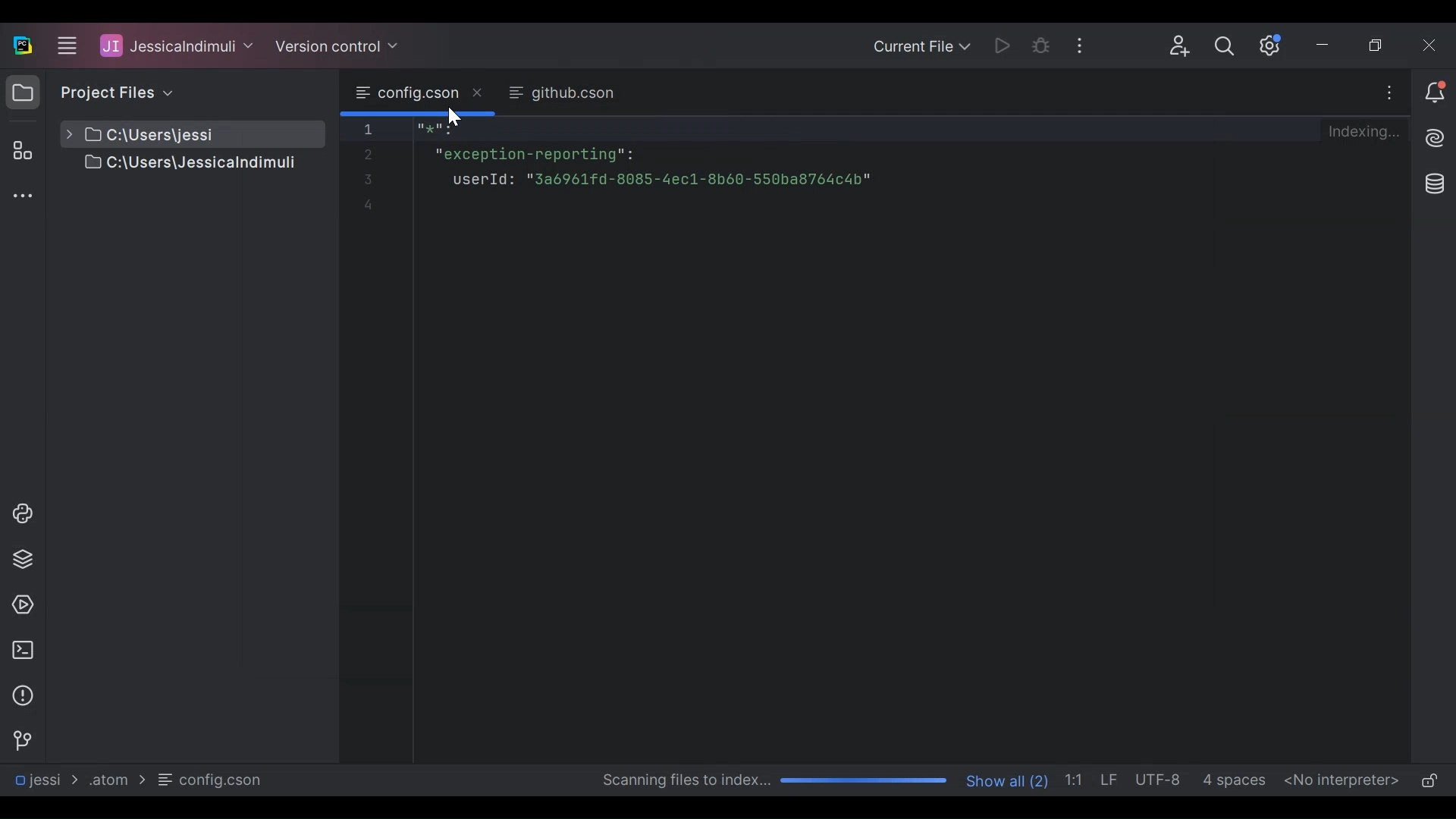  I want to click on Close, so click(1432, 45).